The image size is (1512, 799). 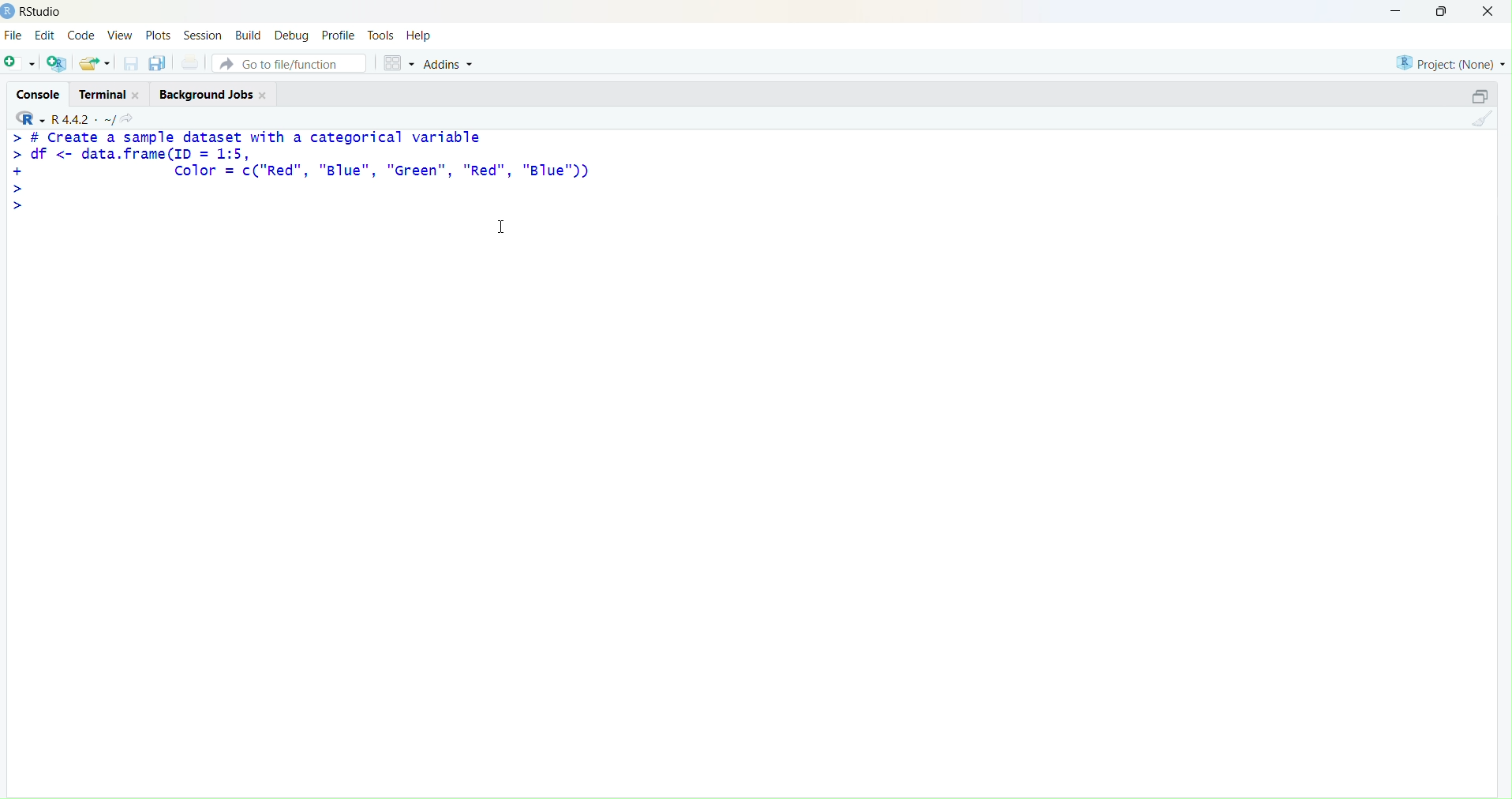 What do you see at coordinates (502, 227) in the screenshot?
I see `cursor` at bounding box center [502, 227].